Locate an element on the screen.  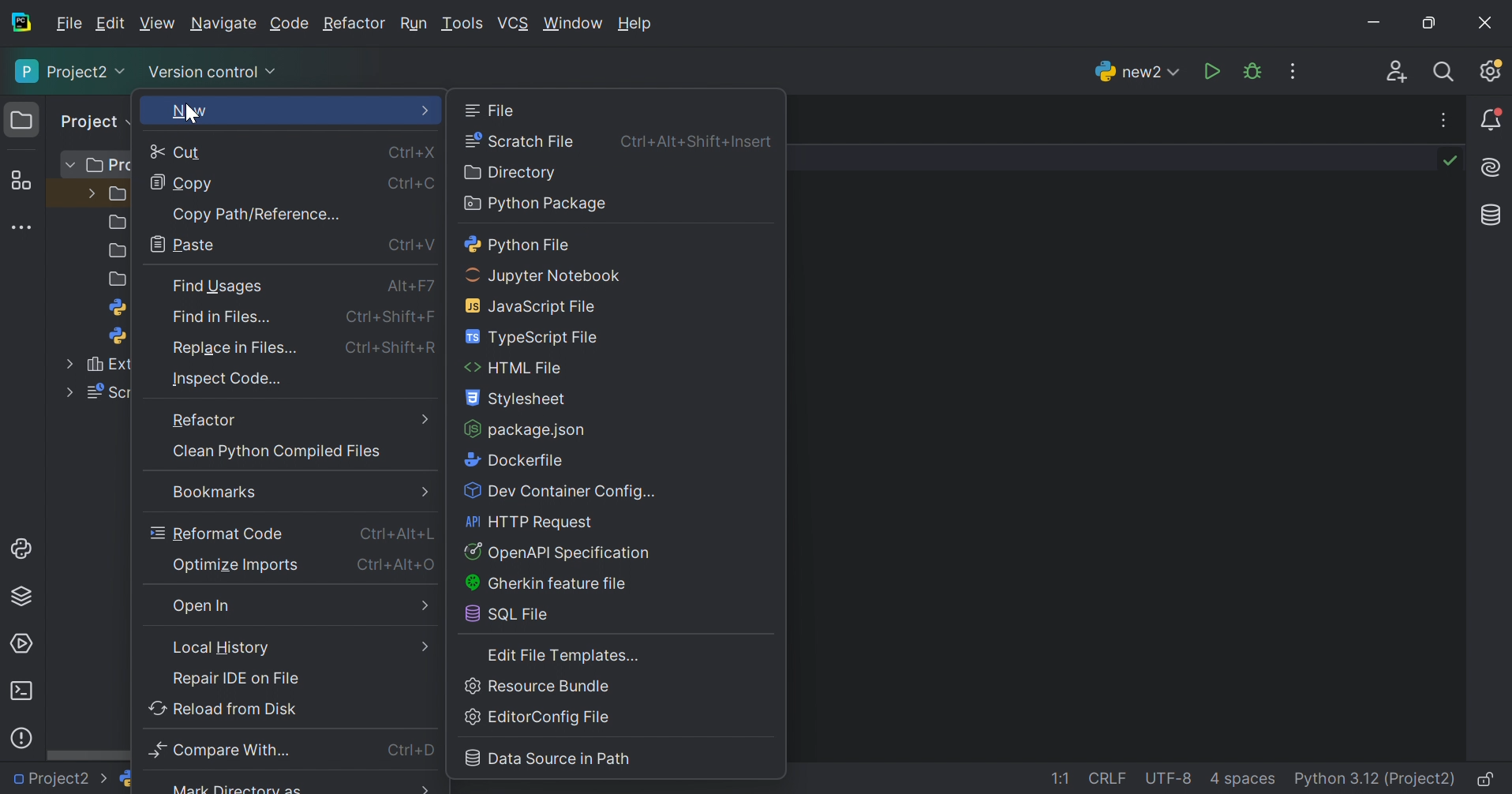
CRLF is located at coordinates (1110, 780).